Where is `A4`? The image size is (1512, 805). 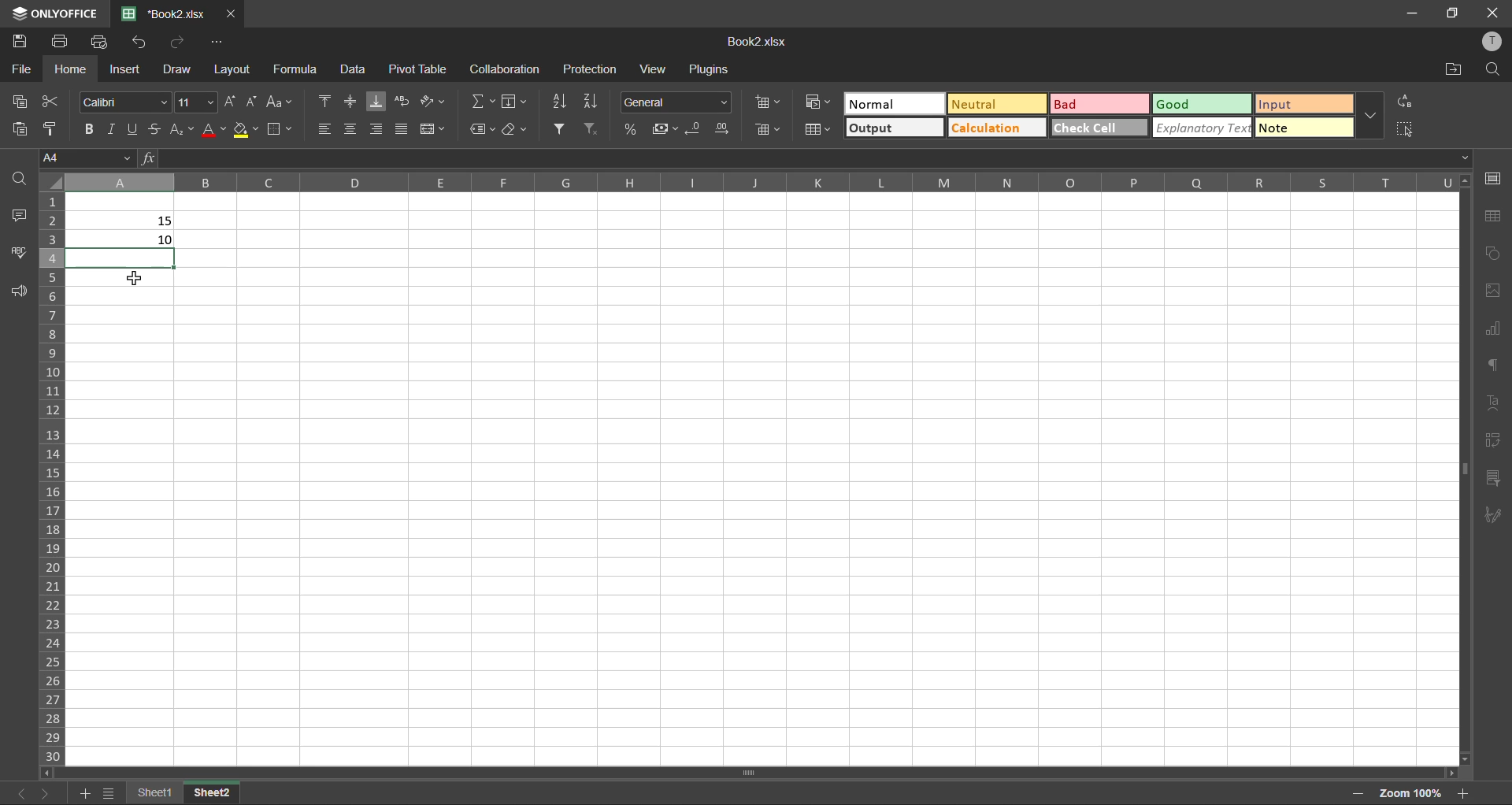
A4 is located at coordinates (83, 156).